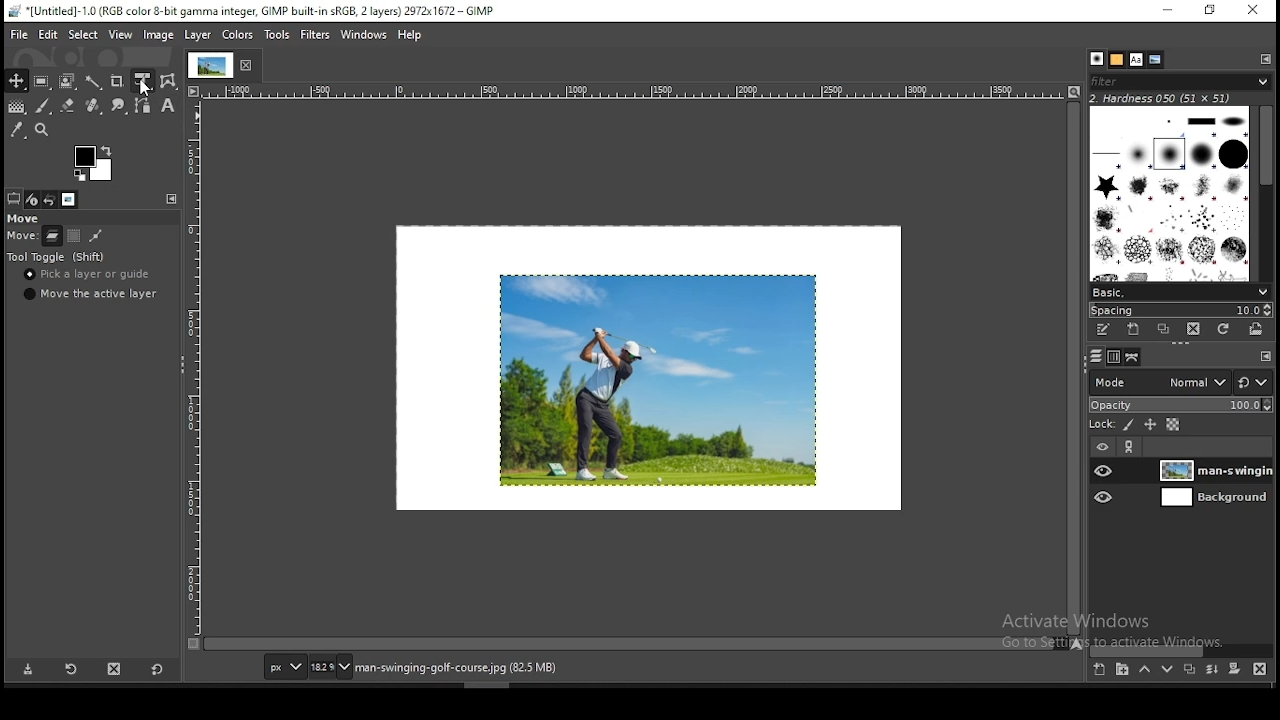  Describe the element at coordinates (1167, 10) in the screenshot. I see `minimize` at that location.